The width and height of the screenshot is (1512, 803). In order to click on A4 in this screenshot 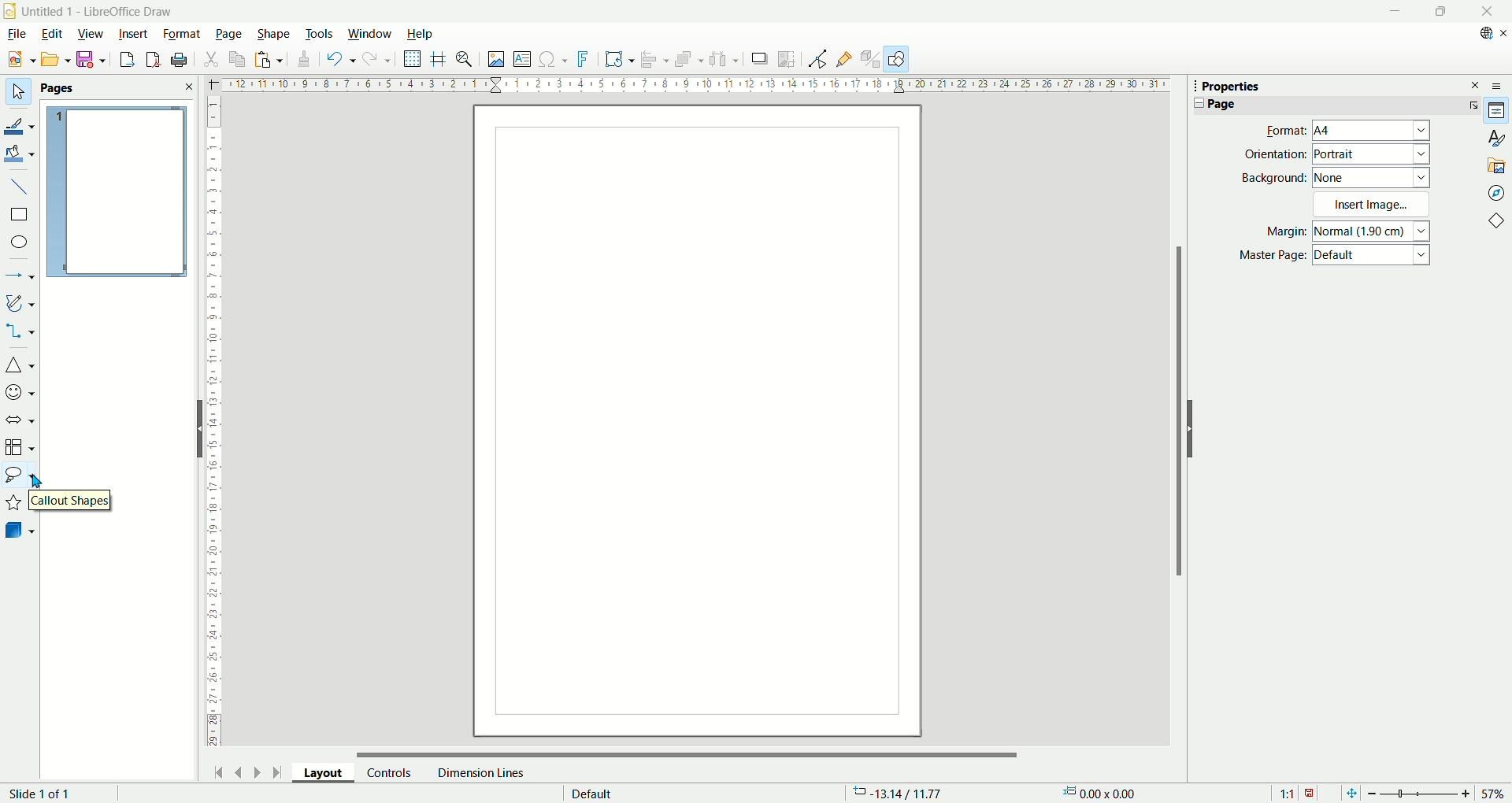, I will do `click(1373, 131)`.